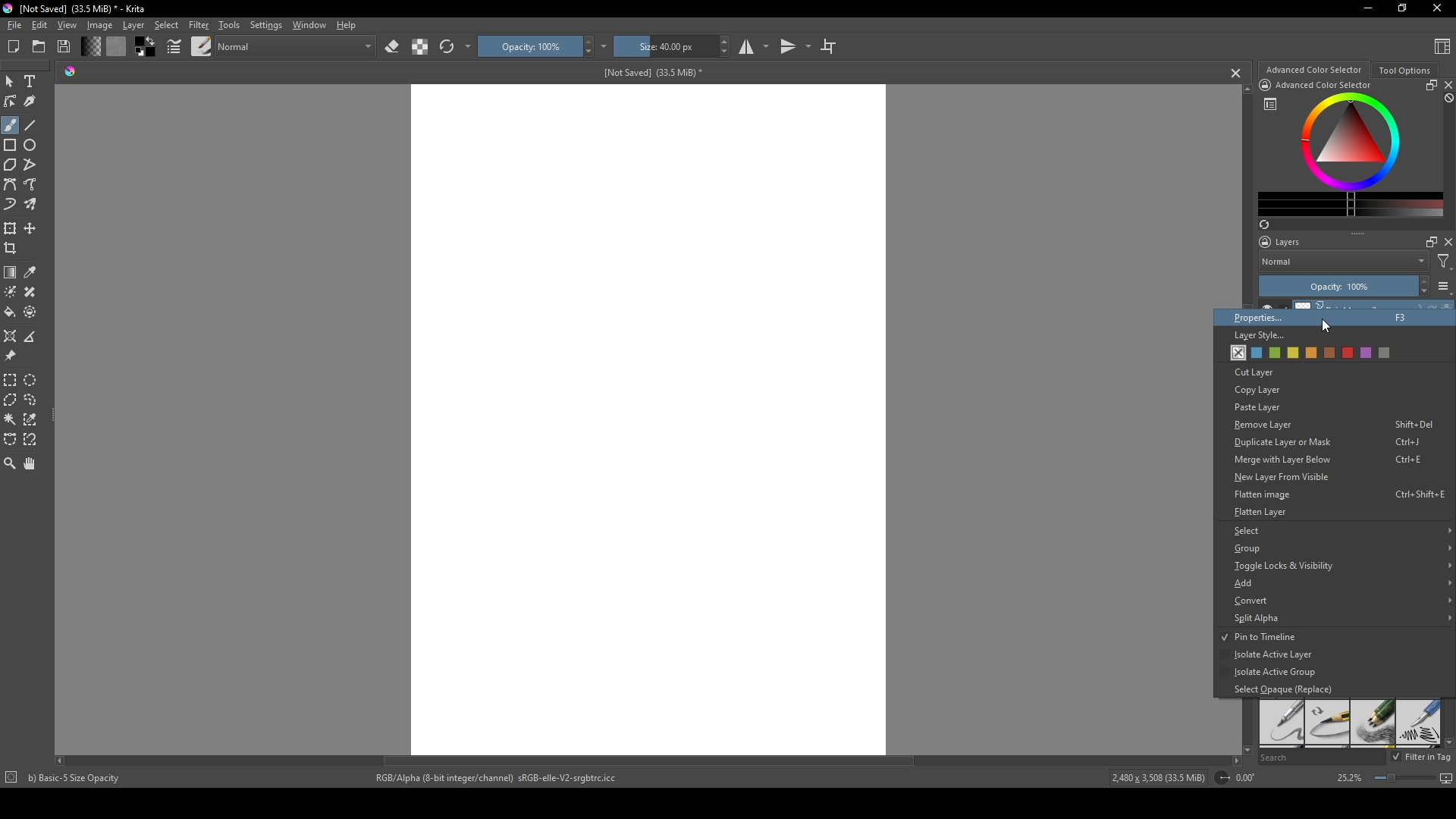 This screenshot has width=1456, height=819. What do you see at coordinates (11, 312) in the screenshot?
I see `bucket fill` at bounding box center [11, 312].